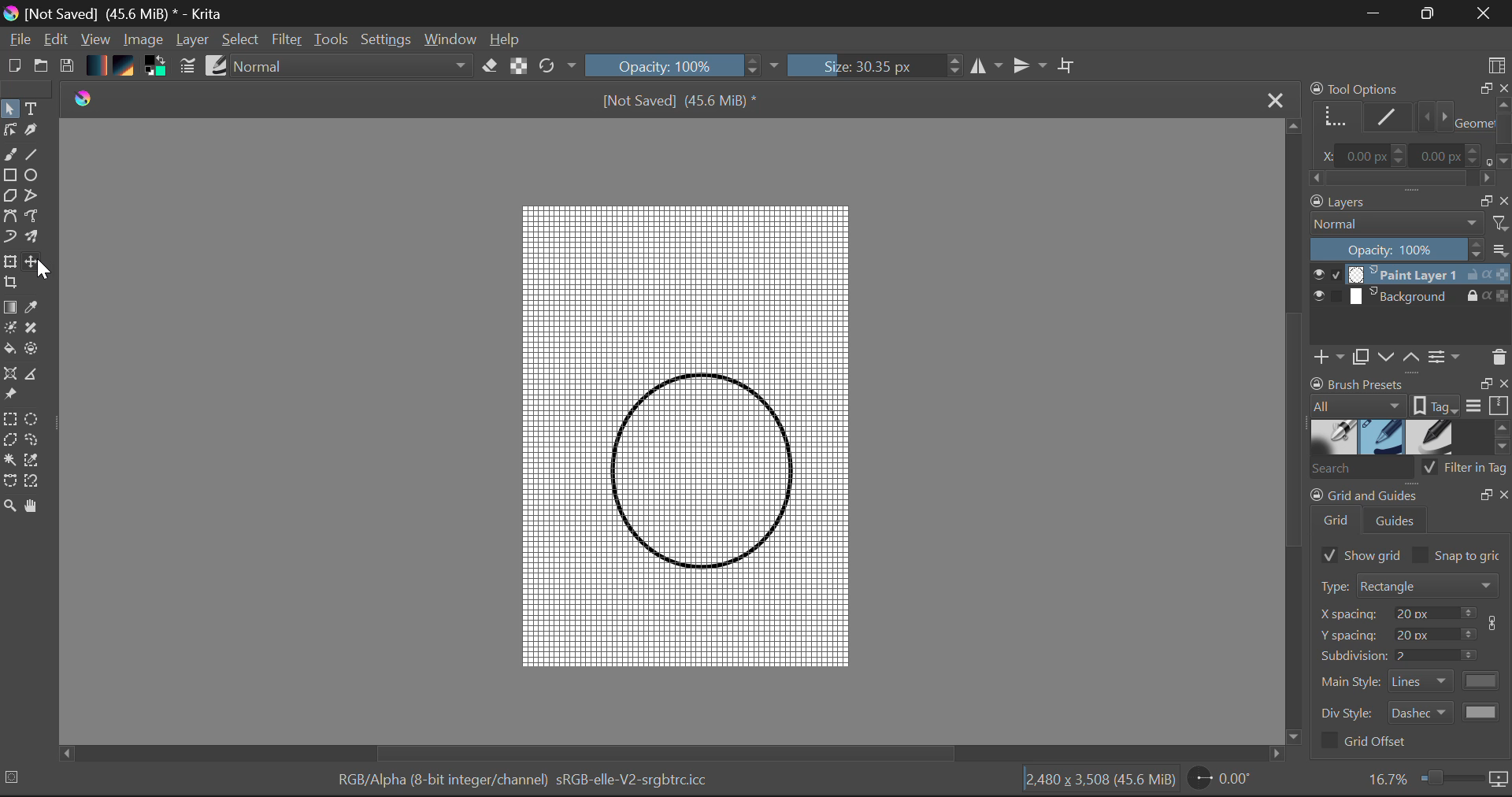 This screenshot has height=797, width=1512. I want to click on Layer, so click(194, 41).